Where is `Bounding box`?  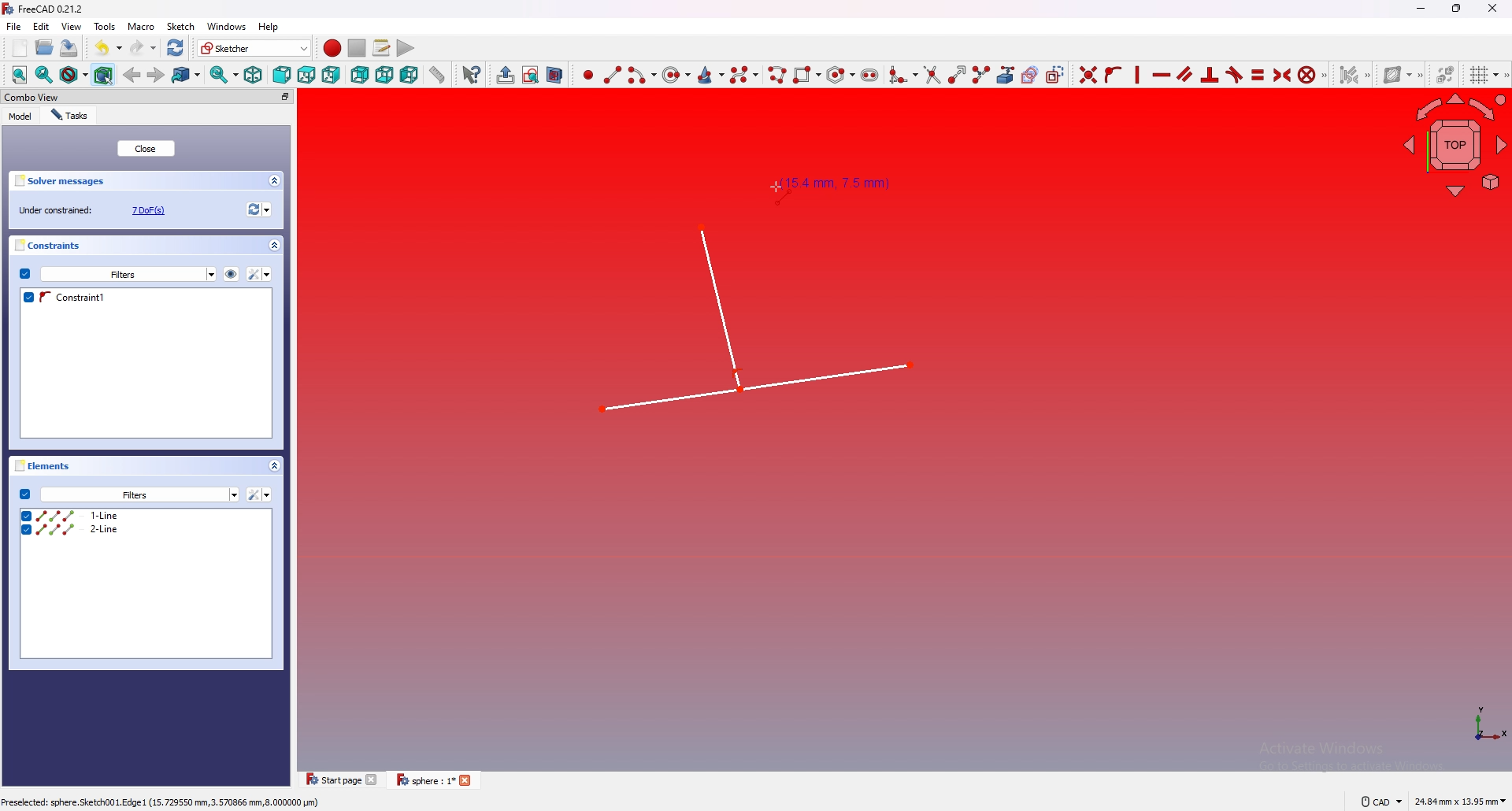 Bounding box is located at coordinates (105, 74).